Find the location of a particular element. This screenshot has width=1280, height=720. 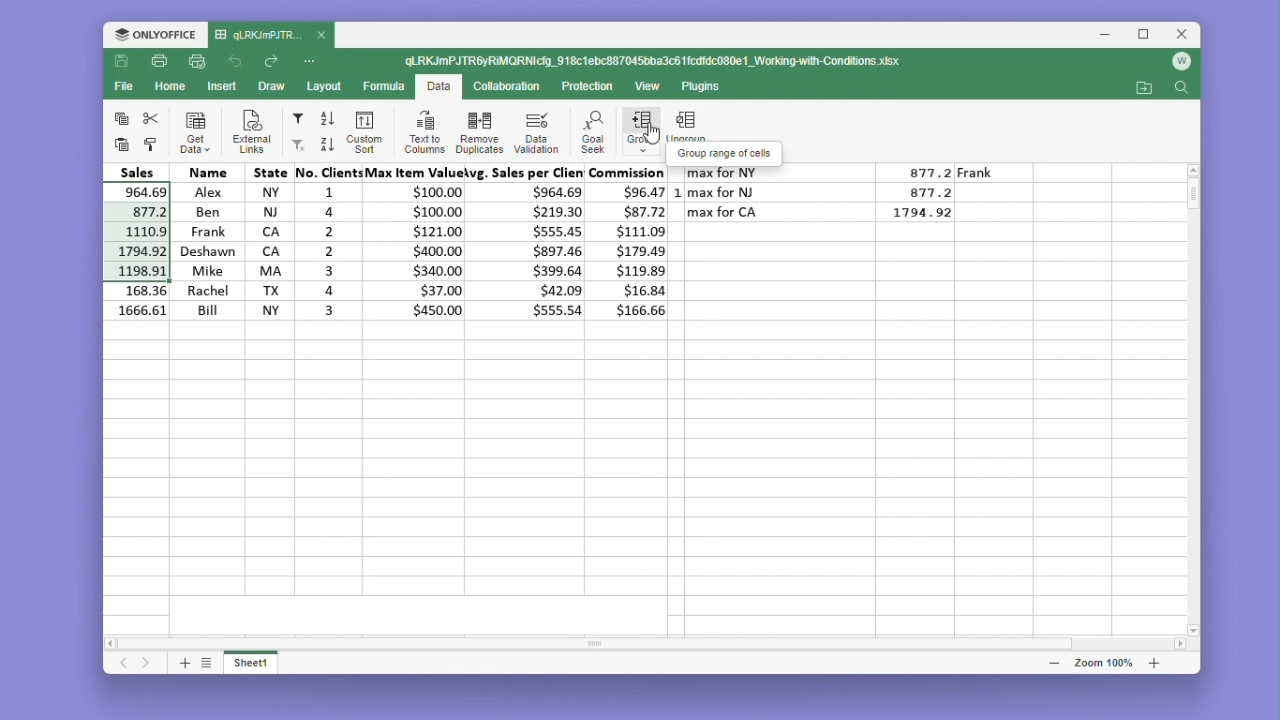

Print file is located at coordinates (158, 63).